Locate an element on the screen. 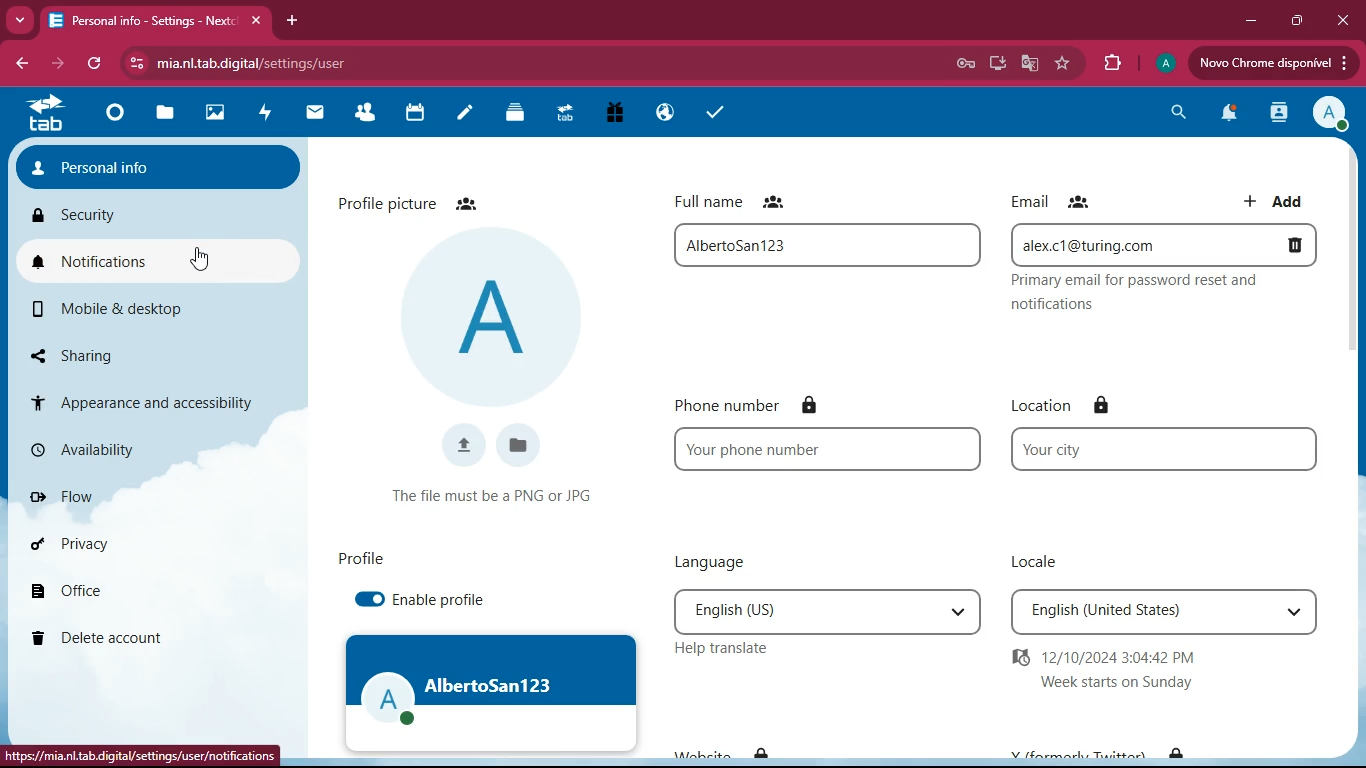 Image resolution: width=1366 pixels, height=768 pixels. forward is located at coordinates (55, 64).